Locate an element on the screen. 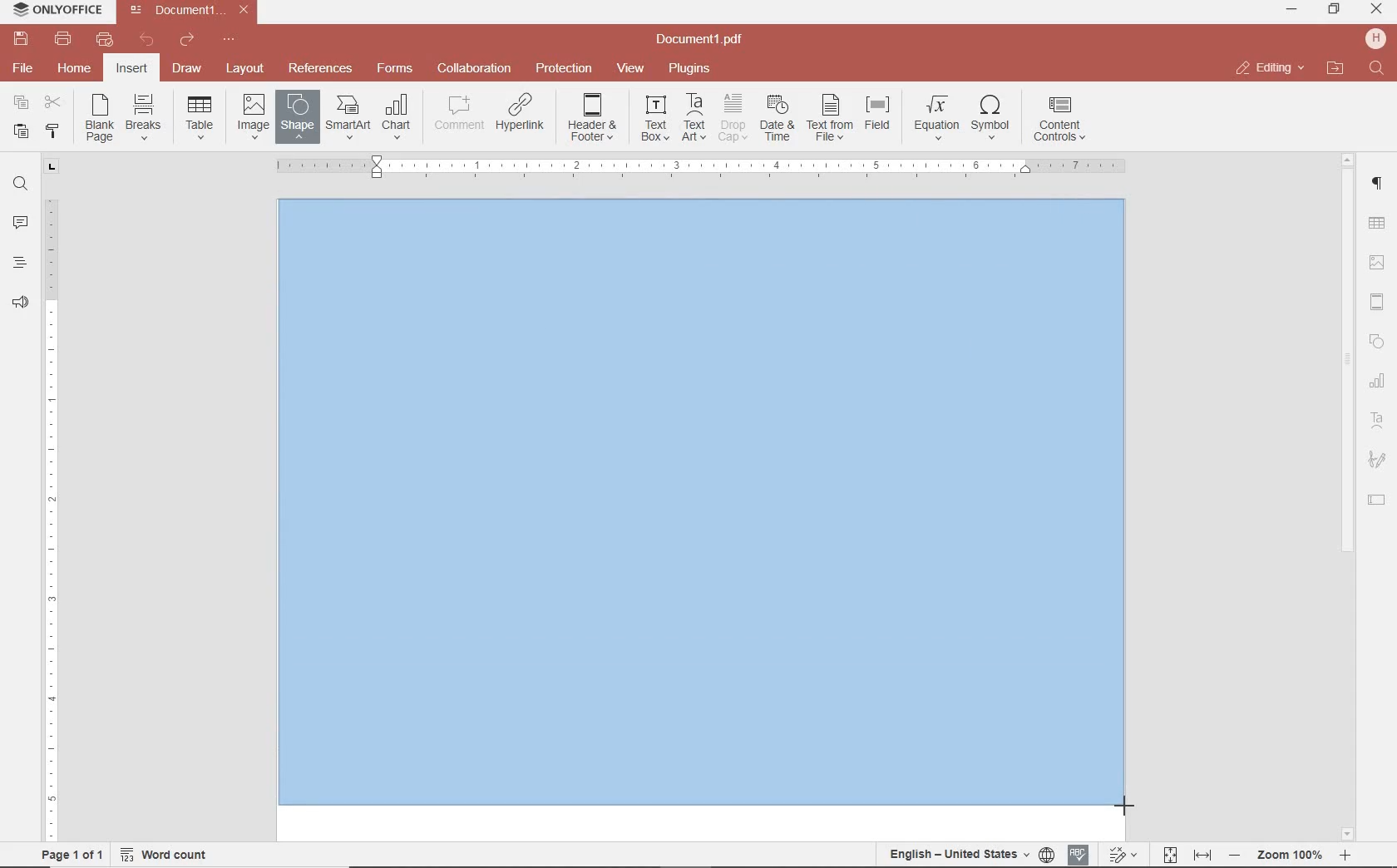  INSERT SYMBOL is located at coordinates (990, 116).